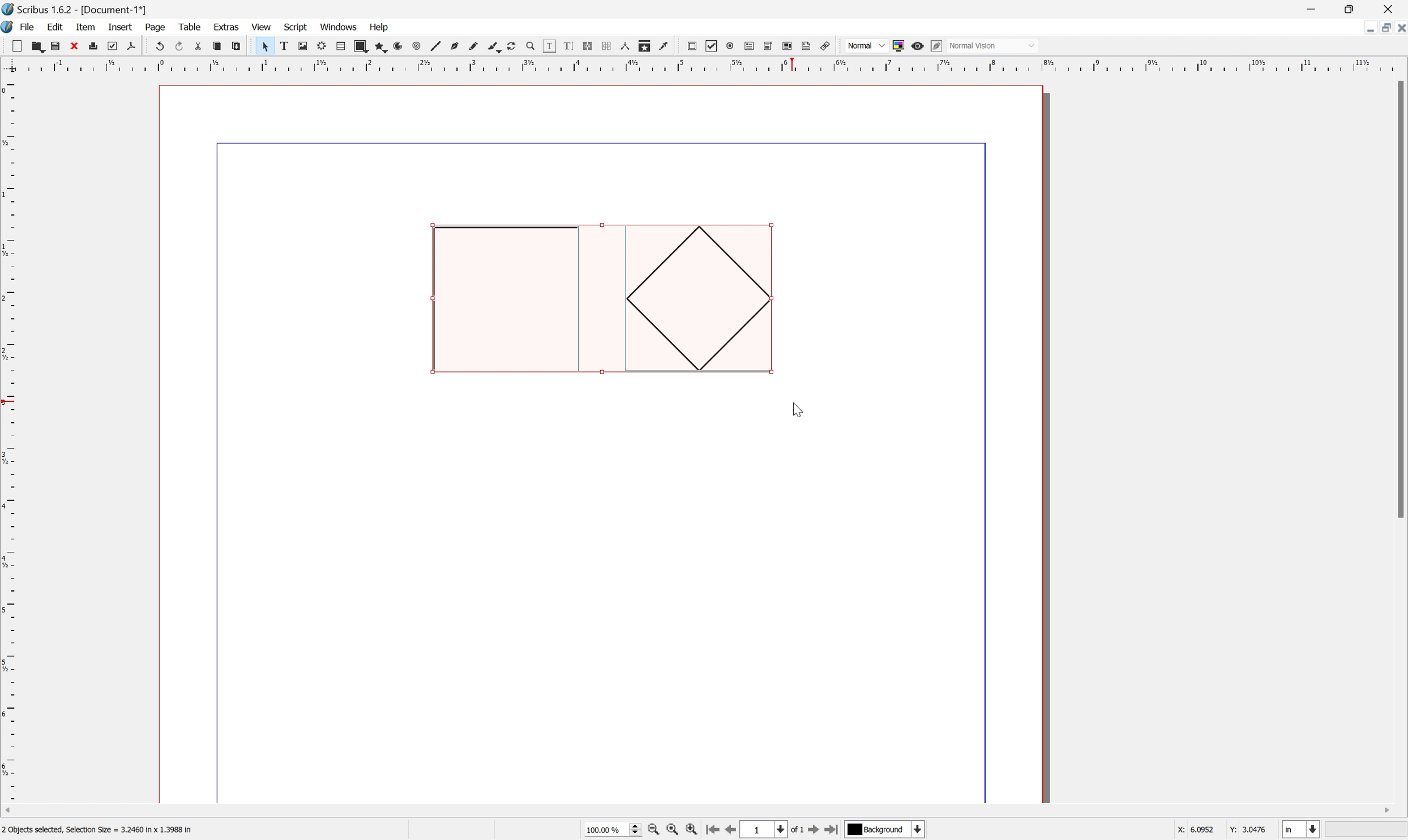 The width and height of the screenshot is (1408, 840). What do you see at coordinates (1399, 299) in the screenshot?
I see `Scroll Bar` at bounding box center [1399, 299].